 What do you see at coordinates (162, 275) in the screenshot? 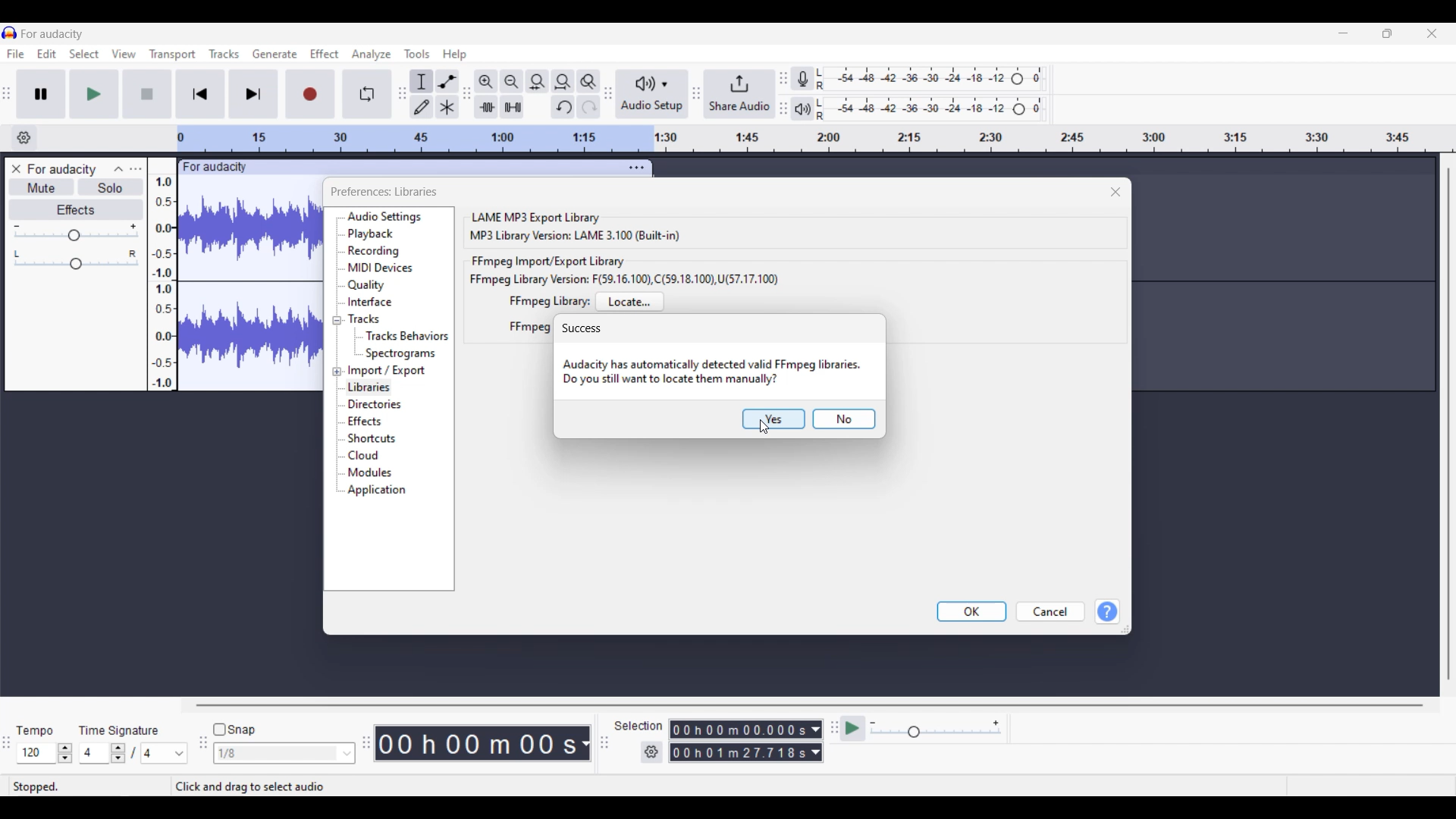
I see `Scale to measure sound intensity` at bounding box center [162, 275].